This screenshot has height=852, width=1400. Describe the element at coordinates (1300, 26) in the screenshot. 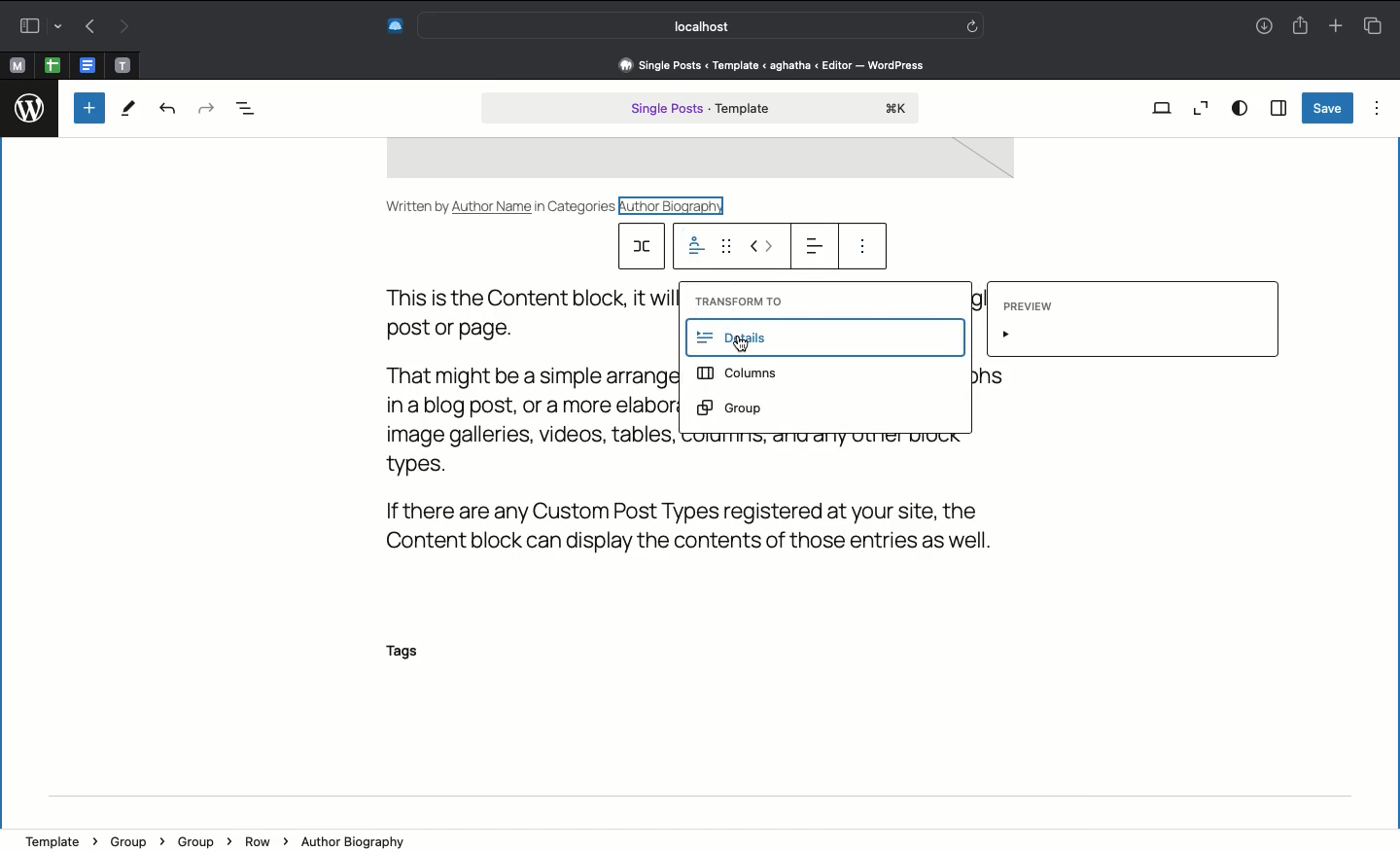

I see `Share` at that location.